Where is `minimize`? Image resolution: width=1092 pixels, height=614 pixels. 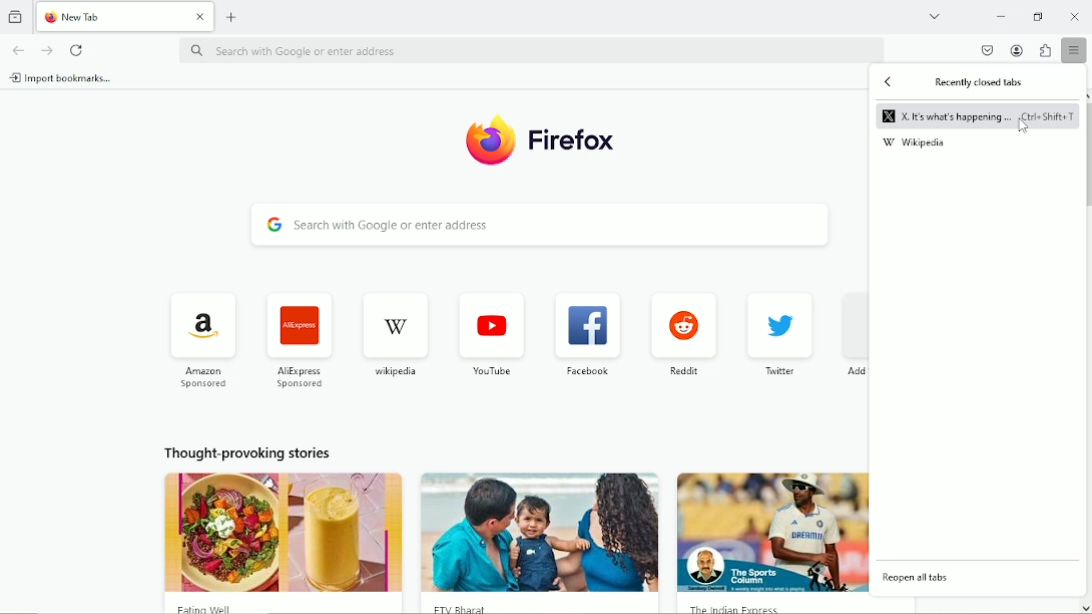
minimize is located at coordinates (1002, 16).